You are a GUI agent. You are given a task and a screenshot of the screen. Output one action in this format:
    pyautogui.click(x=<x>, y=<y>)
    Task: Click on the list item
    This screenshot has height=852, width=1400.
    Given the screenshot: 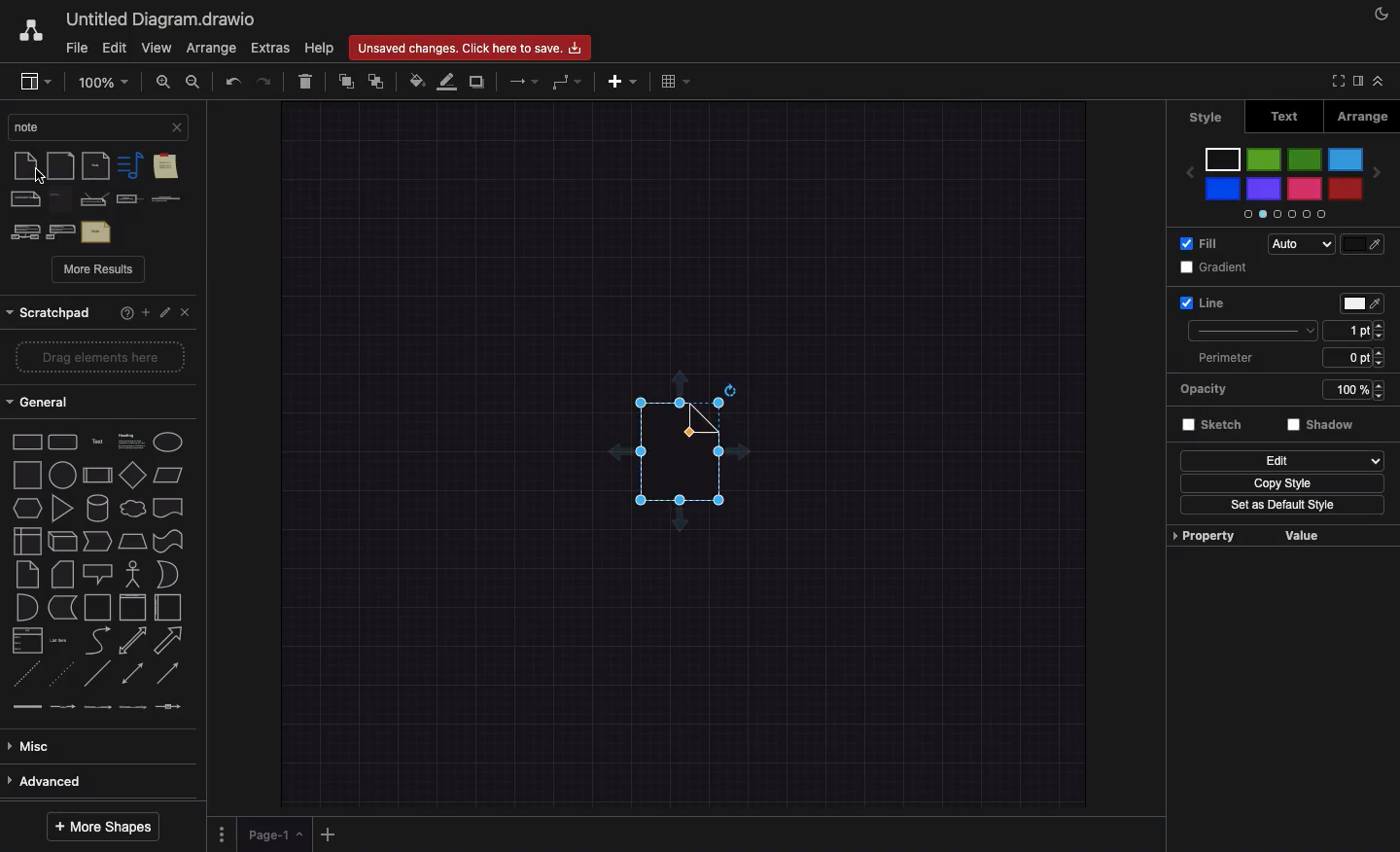 What is the action you would take?
    pyautogui.click(x=60, y=642)
    